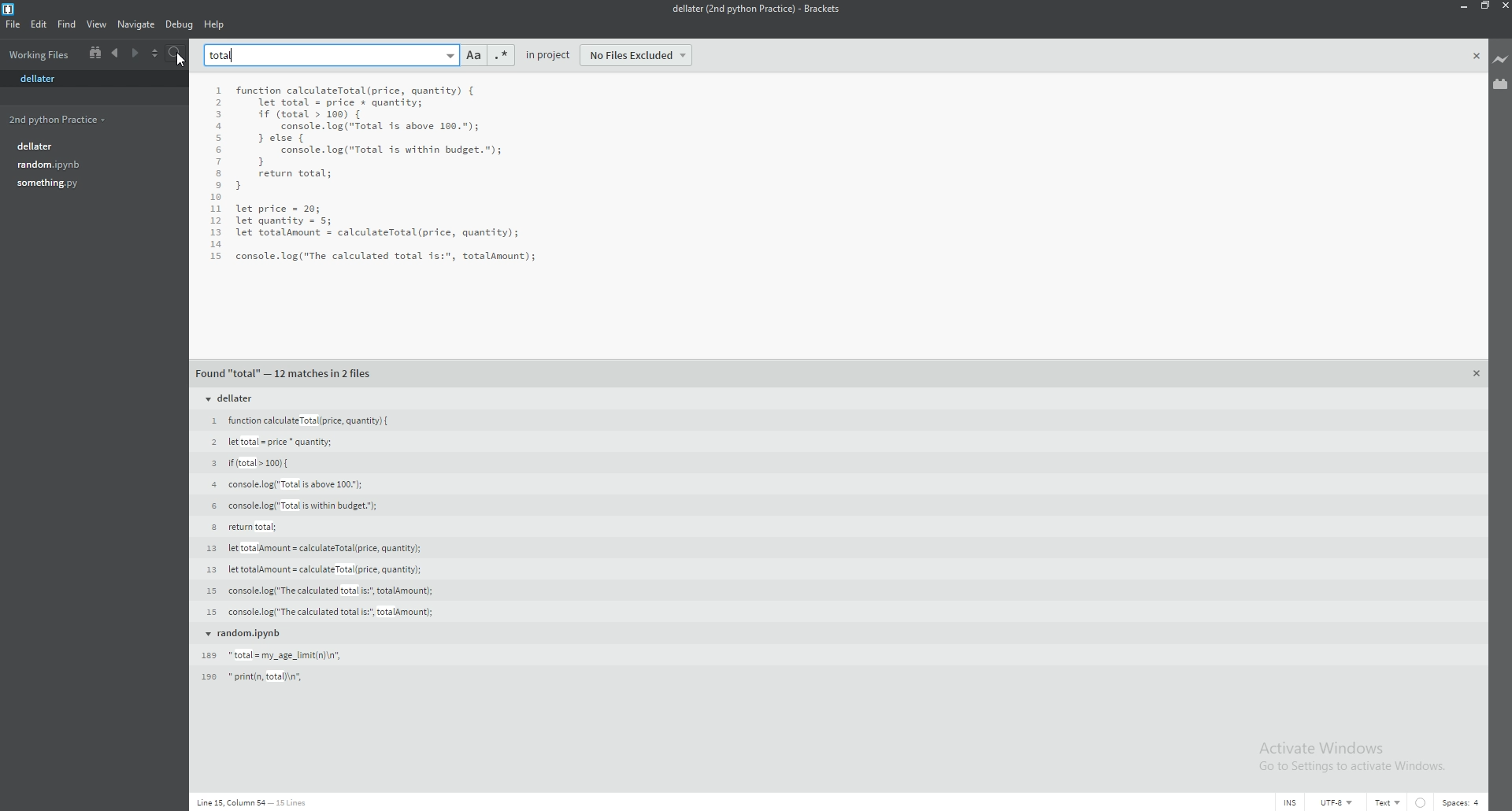 The width and height of the screenshot is (1512, 811). What do you see at coordinates (217, 256) in the screenshot?
I see `15` at bounding box center [217, 256].